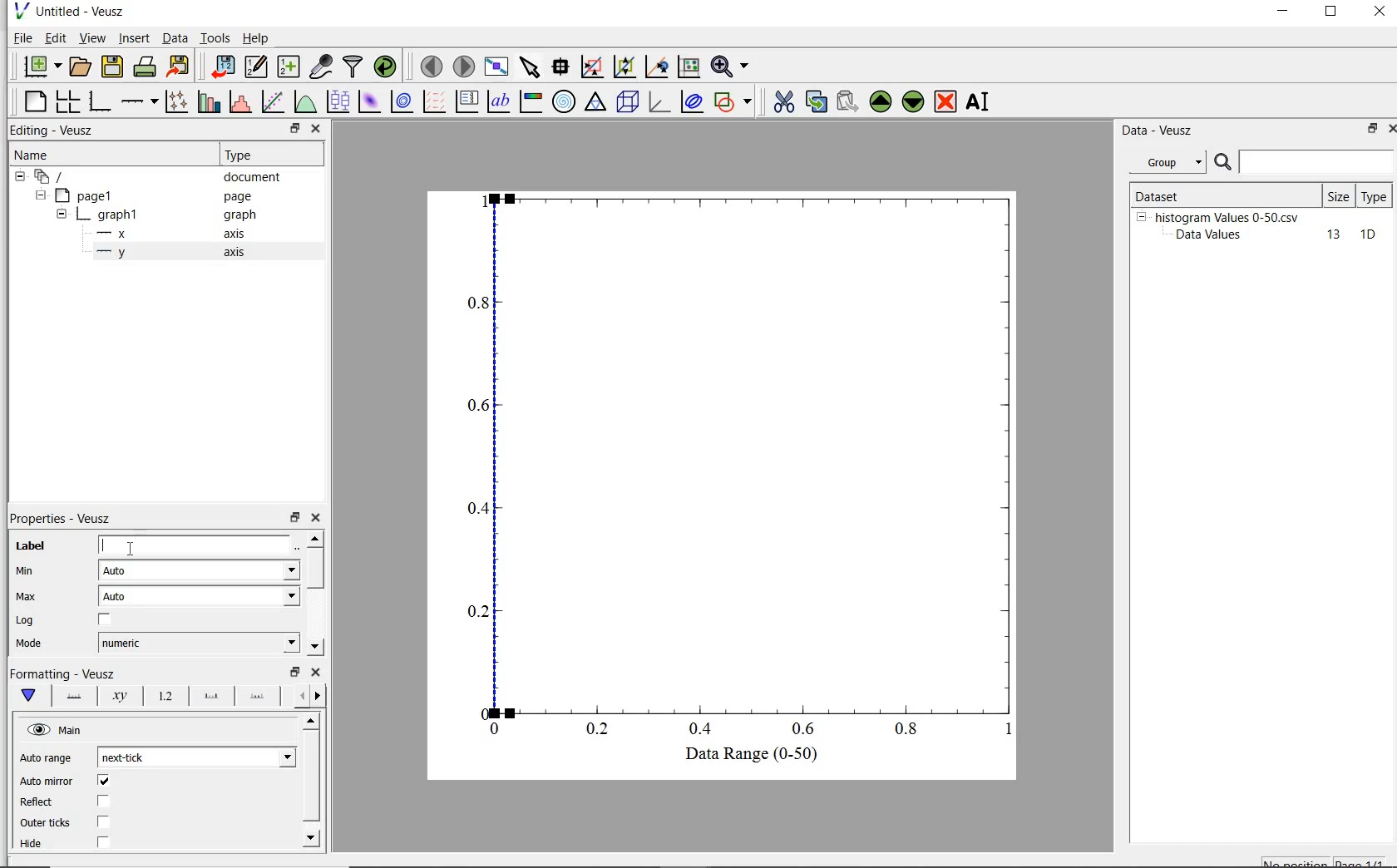 This screenshot has width=1397, height=868. What do you see at coordinates (295, 672) in the screenshot?
I see `restore down` at bounding box center [295, 672].